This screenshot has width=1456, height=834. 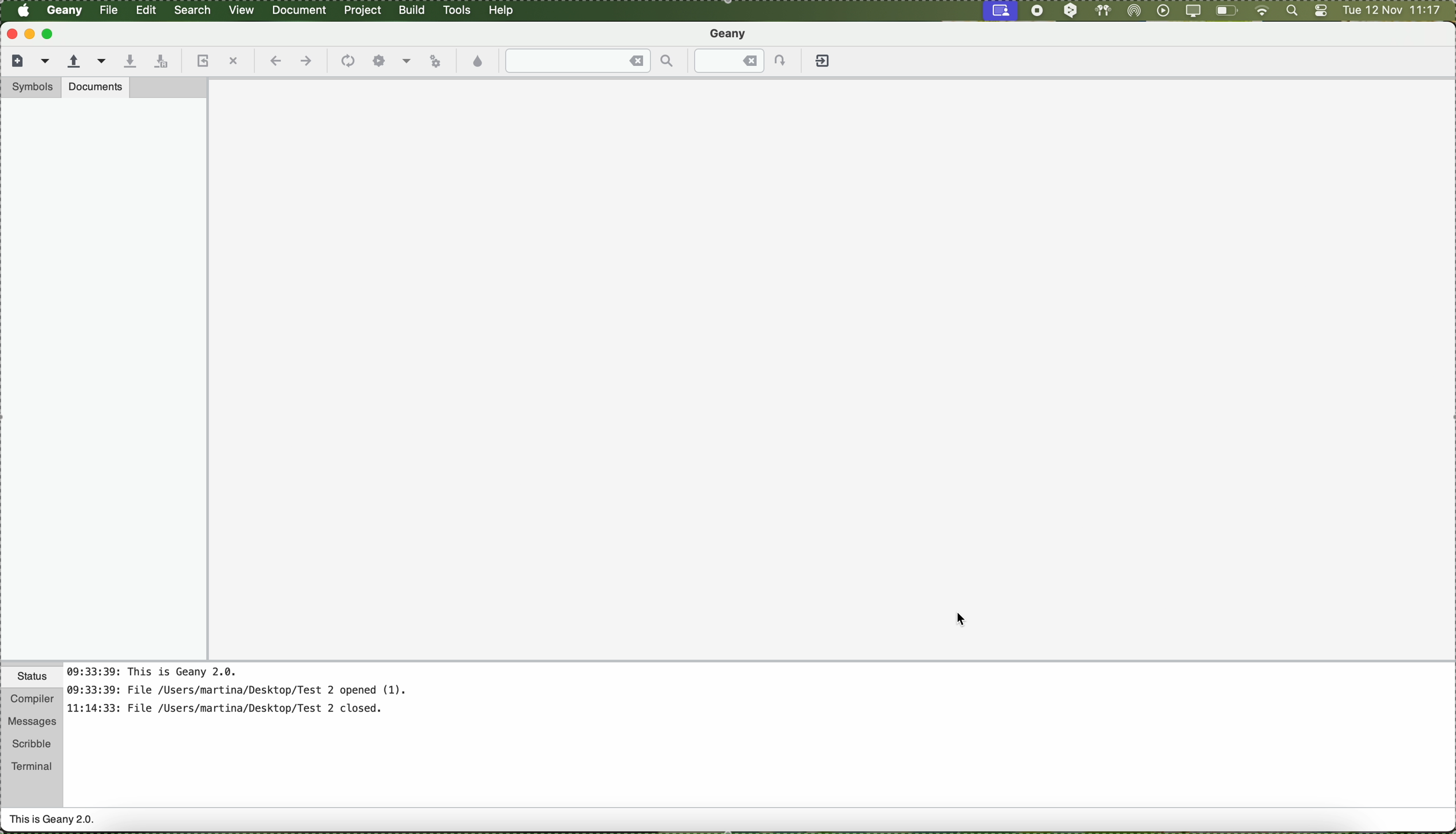 What do you see at coordinates (47, 62) in the screenshot?
I see `create a new file from a template` at bounding box center [47, 62].